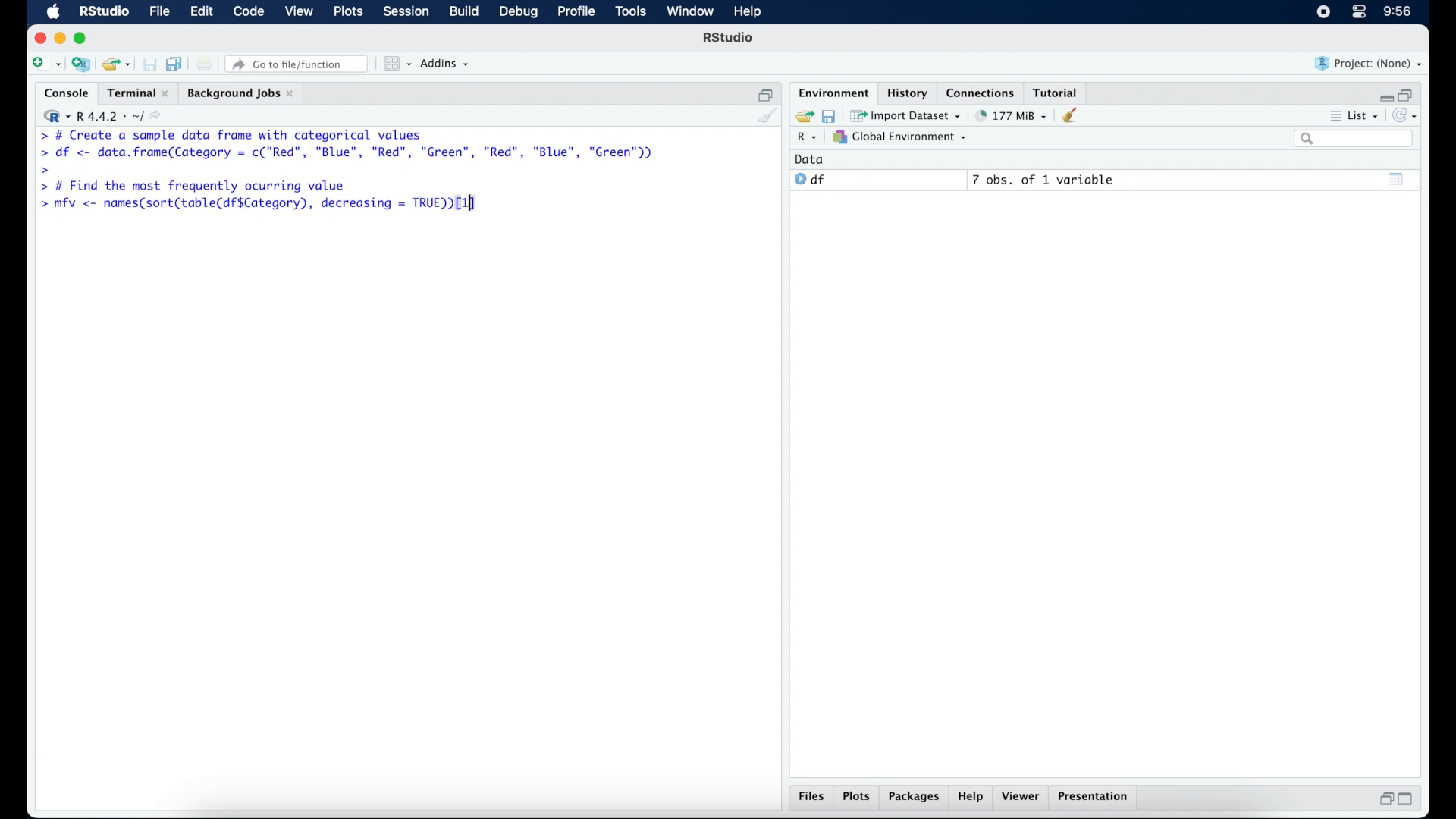 The width and height of the screenshot is (1456, 819). I want to click on load workspace, so click(802, 114).